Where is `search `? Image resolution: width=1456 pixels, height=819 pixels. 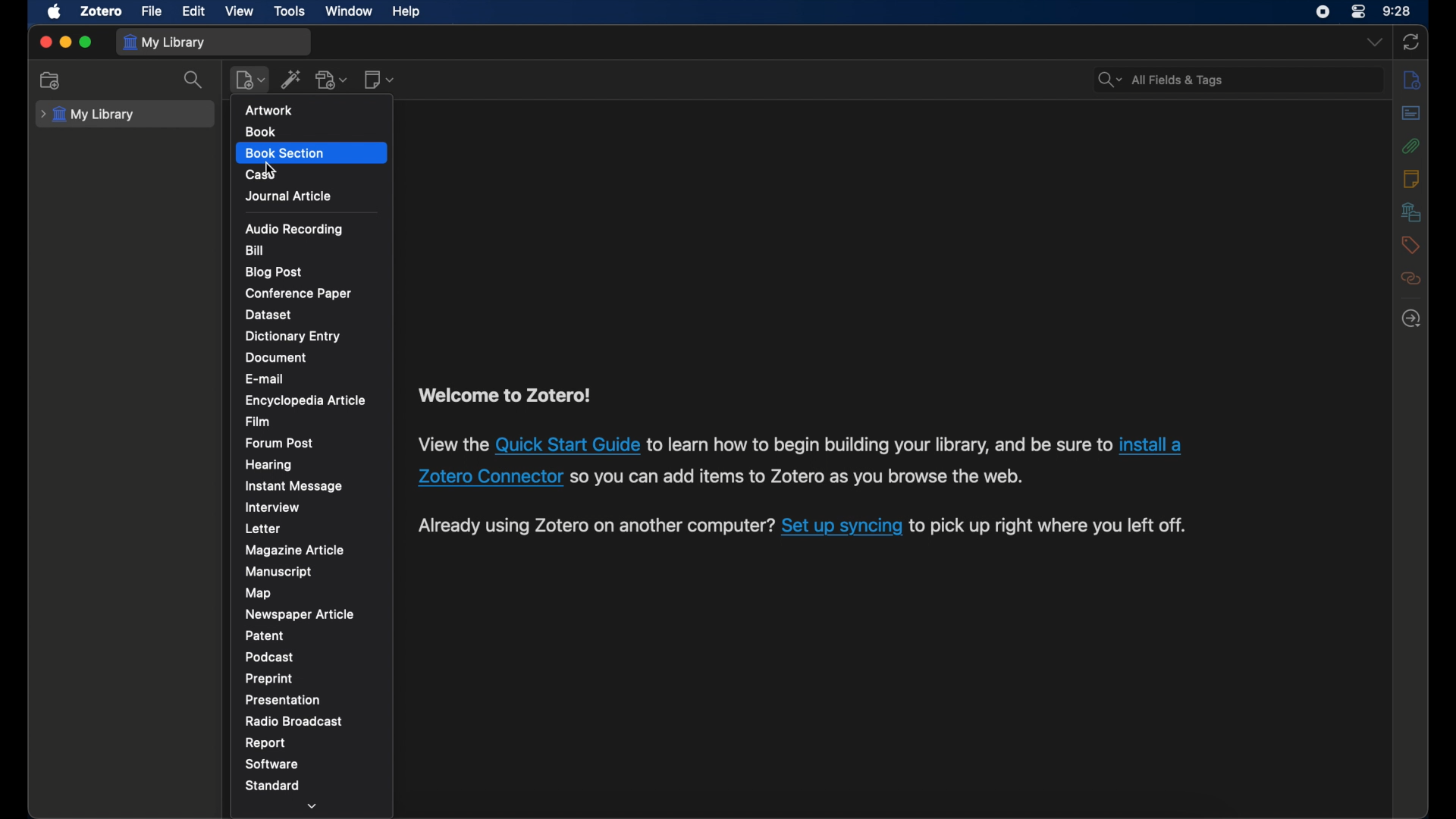 search  is located at coordinates (1160, 80).